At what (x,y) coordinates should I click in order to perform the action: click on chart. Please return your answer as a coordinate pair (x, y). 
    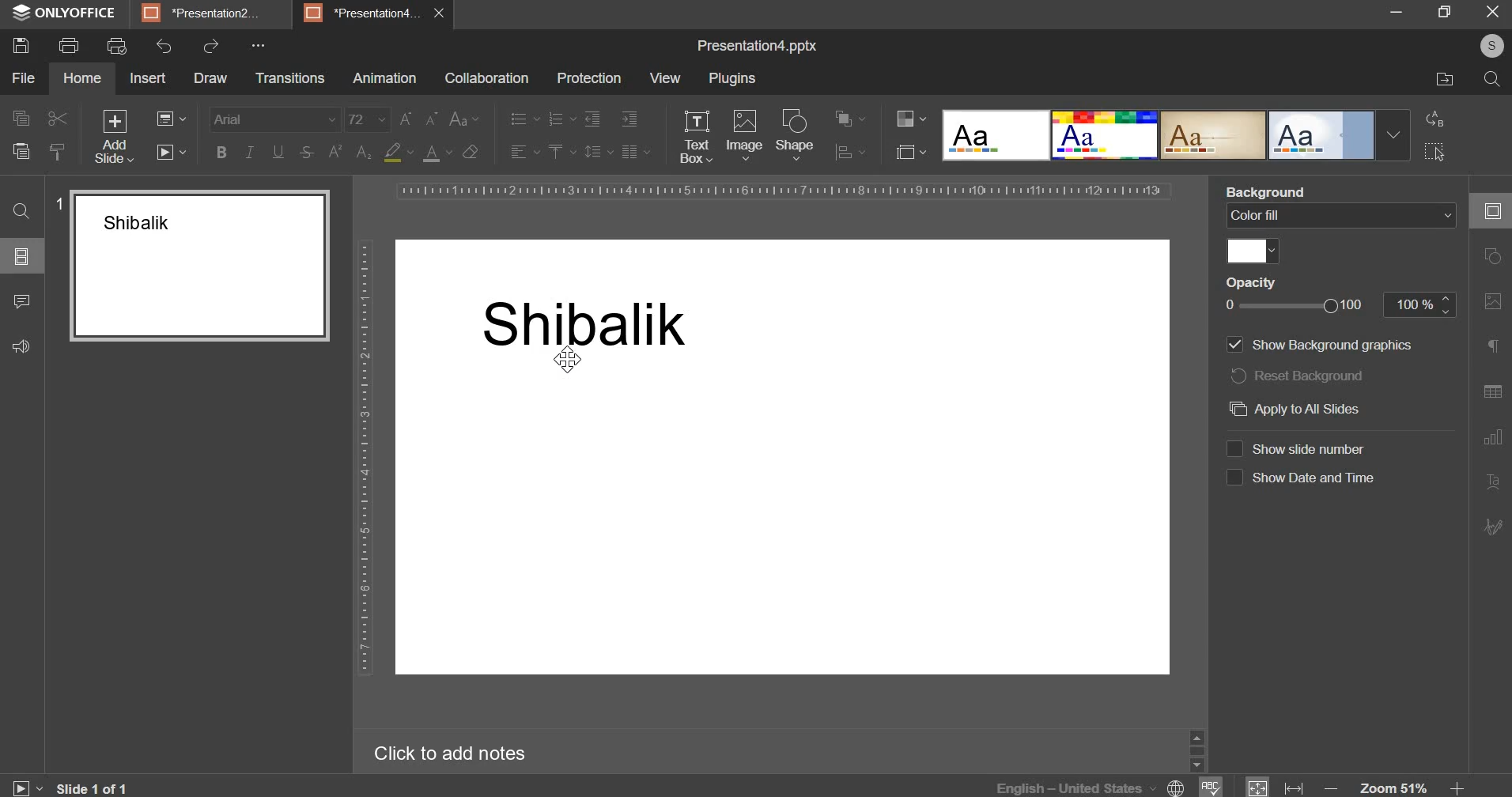
    Looking at the image, I should click on (1489, 444).